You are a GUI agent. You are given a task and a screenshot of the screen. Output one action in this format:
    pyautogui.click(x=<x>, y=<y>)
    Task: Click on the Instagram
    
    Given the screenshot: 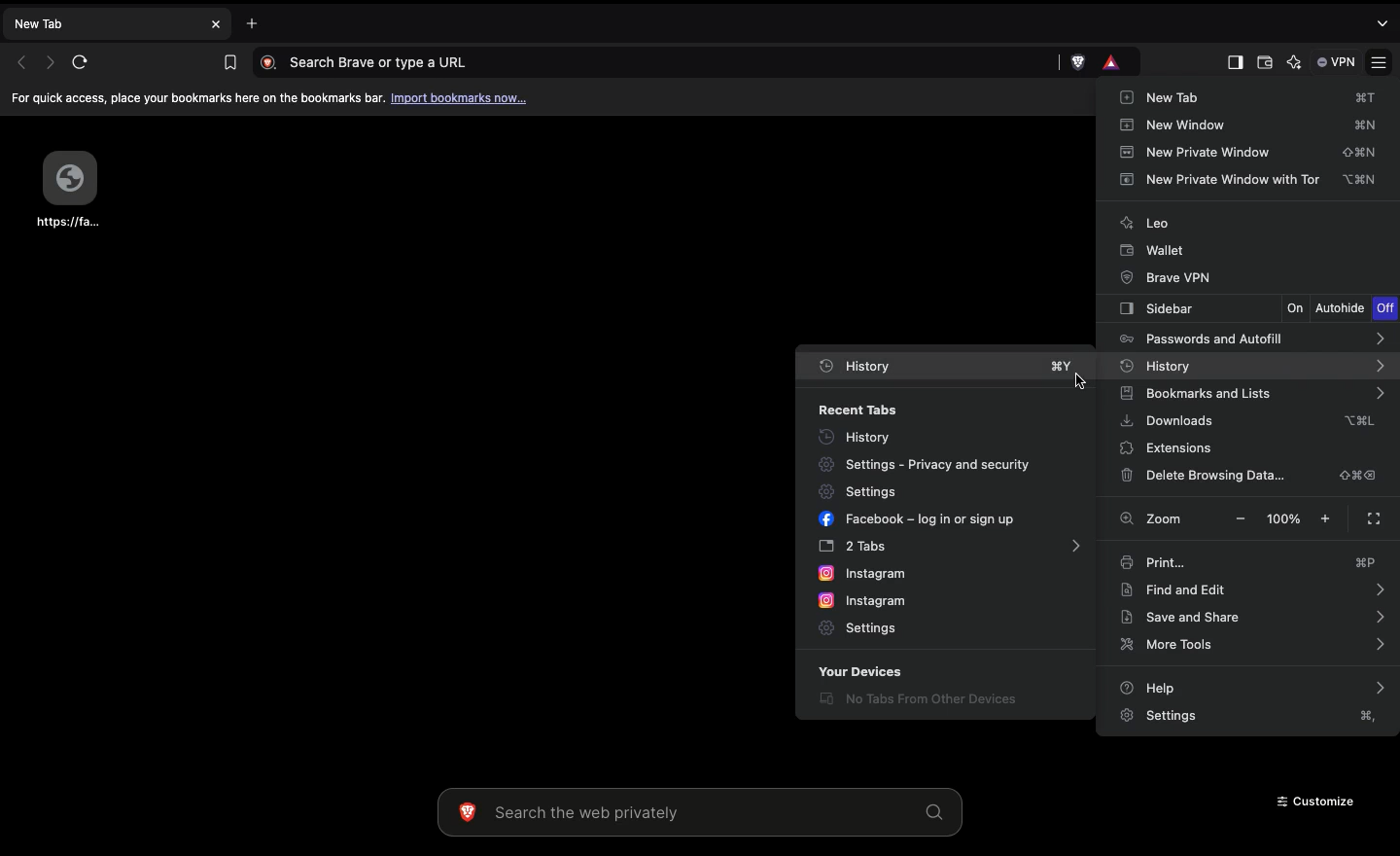 What is the action you would take?
    pyautogui.click(x=864, y=574)
    